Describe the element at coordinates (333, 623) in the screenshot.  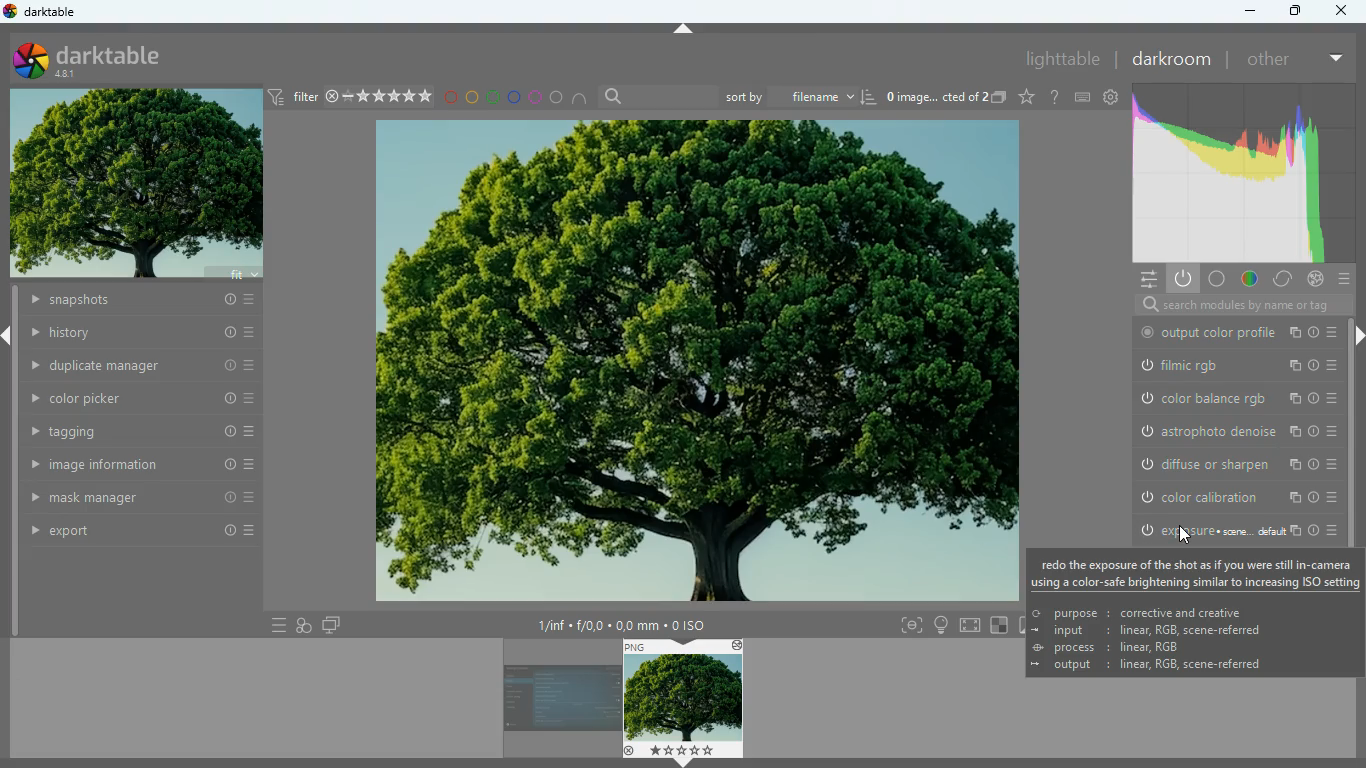
I see `screens` at that location.